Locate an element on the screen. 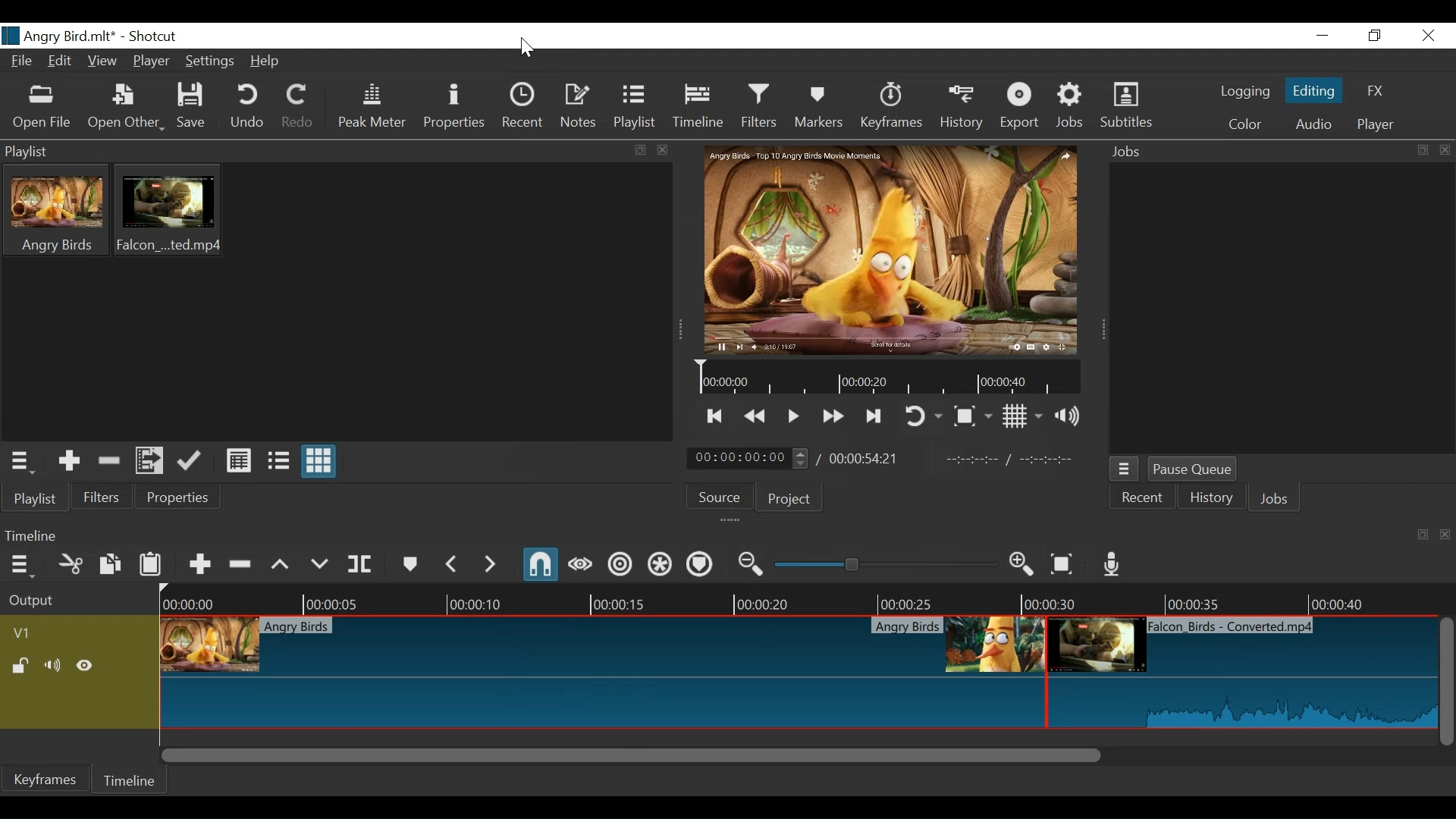  Output is located at coordinates (79, 599).